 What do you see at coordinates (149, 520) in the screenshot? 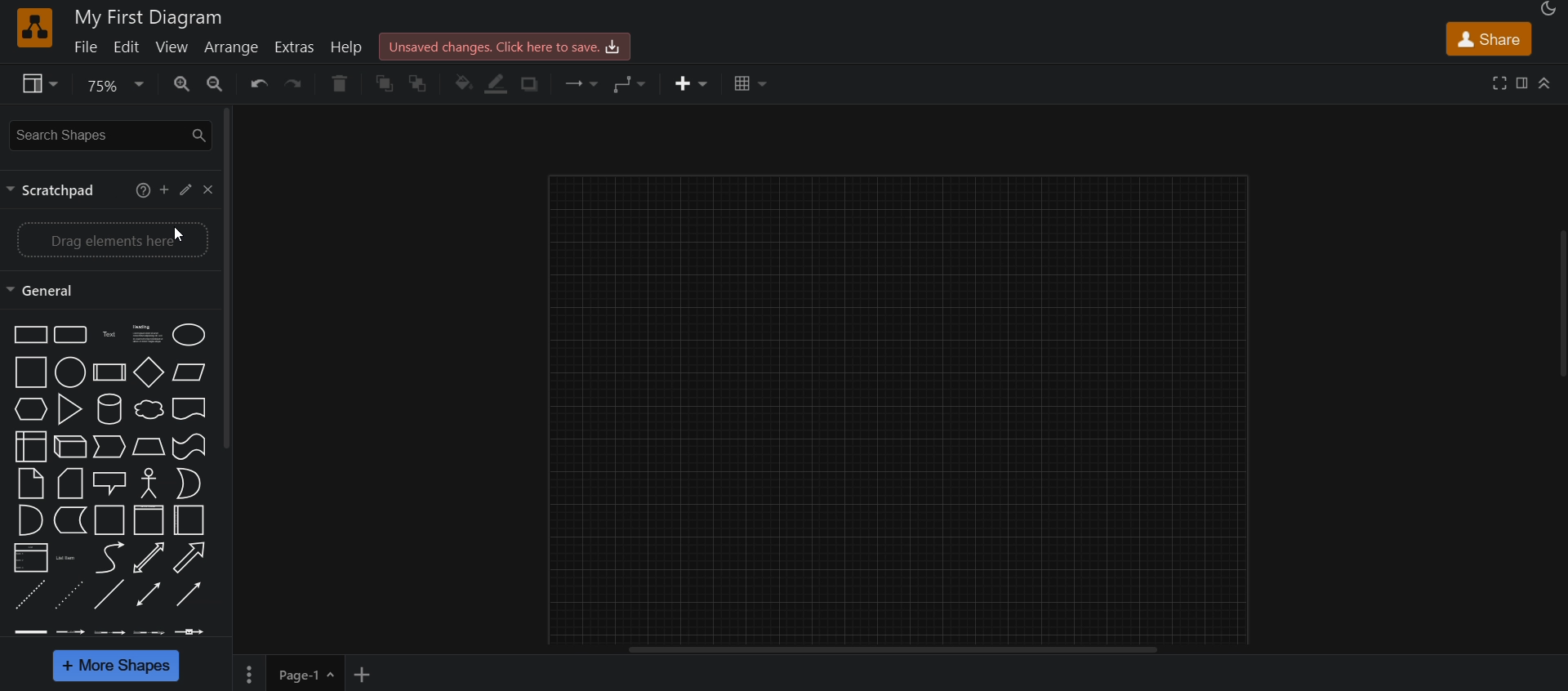
I see `fit page width` at bounding box center [149, 520].